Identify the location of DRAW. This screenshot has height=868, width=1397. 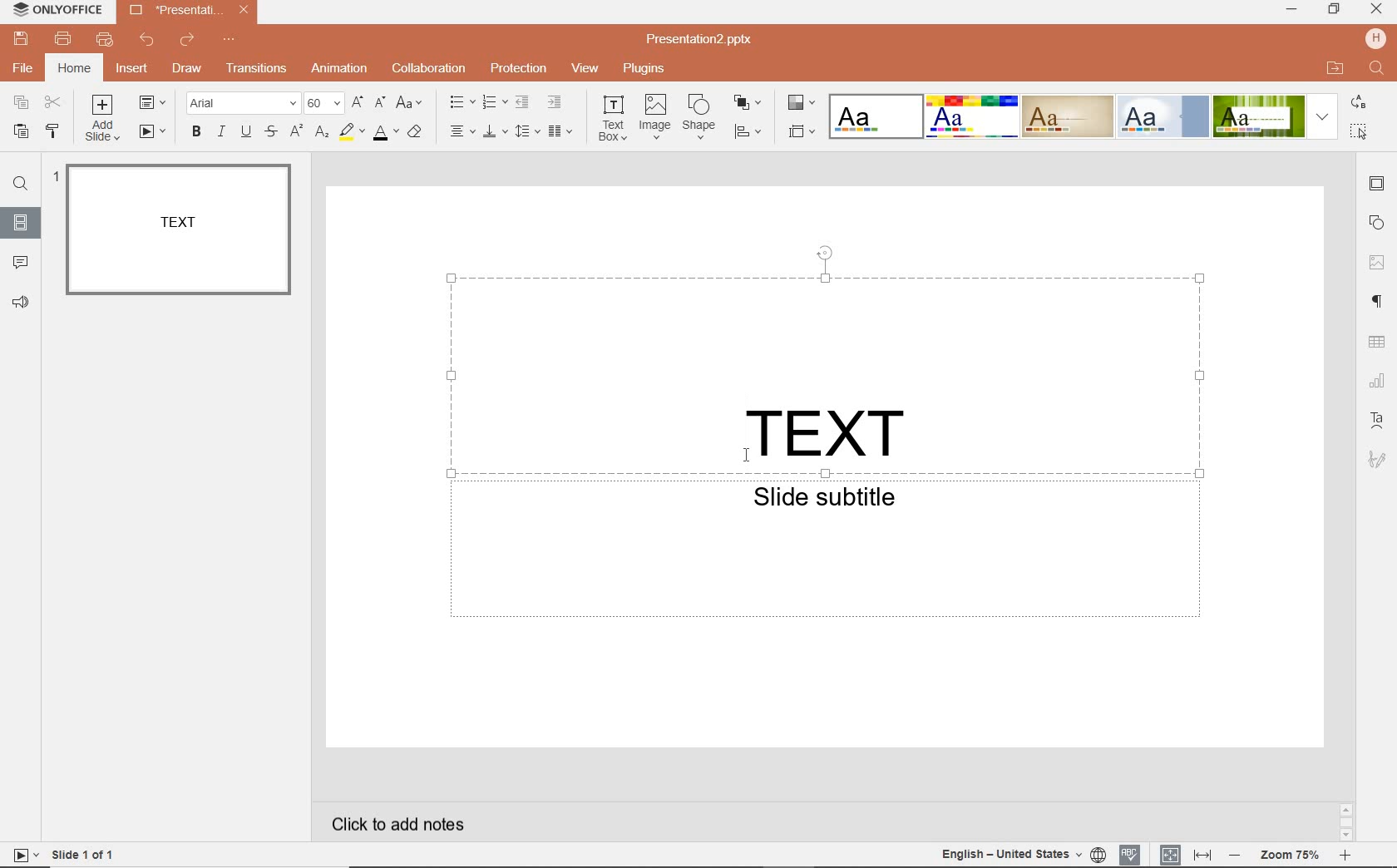
(184, 70).